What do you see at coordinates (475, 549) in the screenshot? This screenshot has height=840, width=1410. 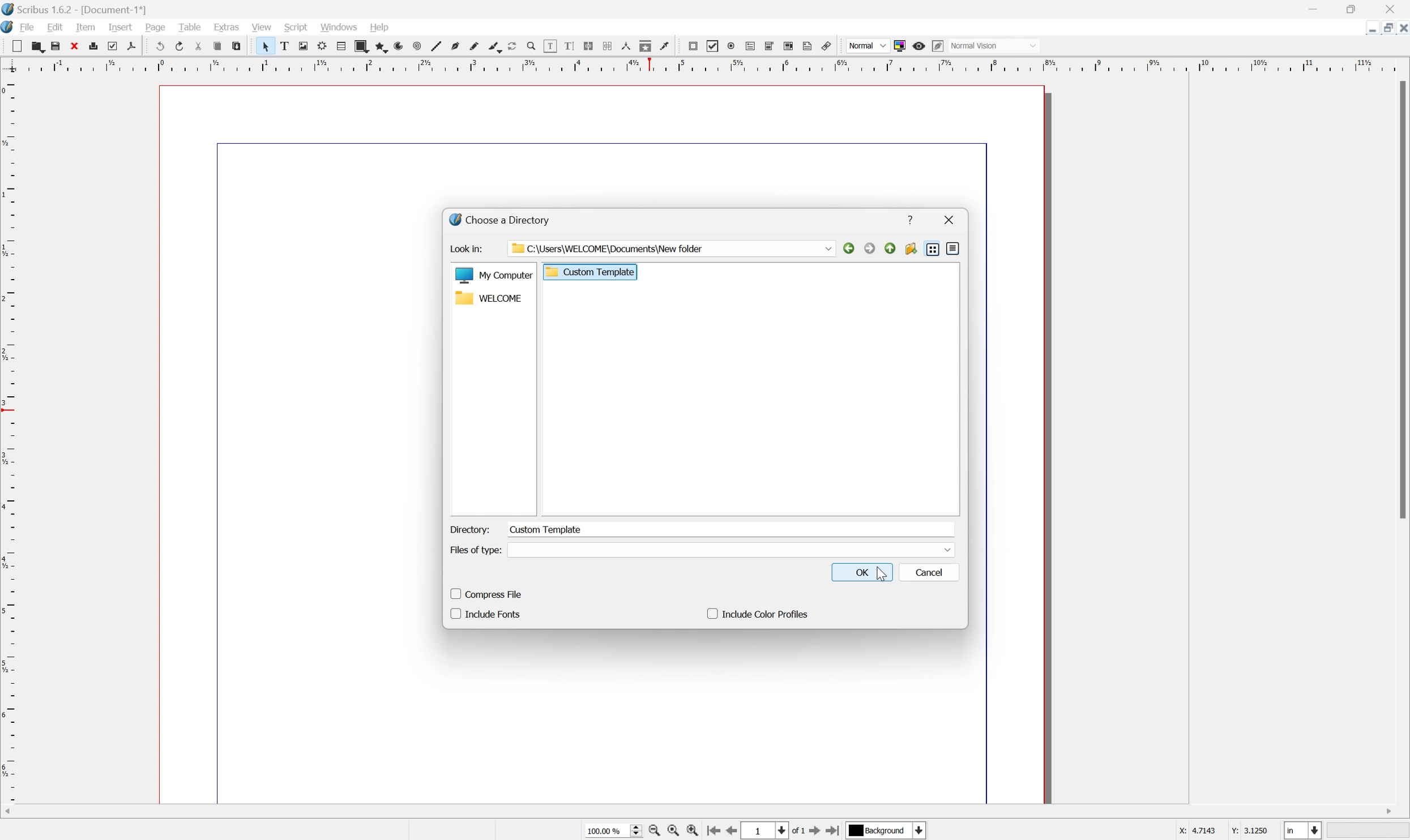 I see `Files of type:` at bounding box center [475, 549].